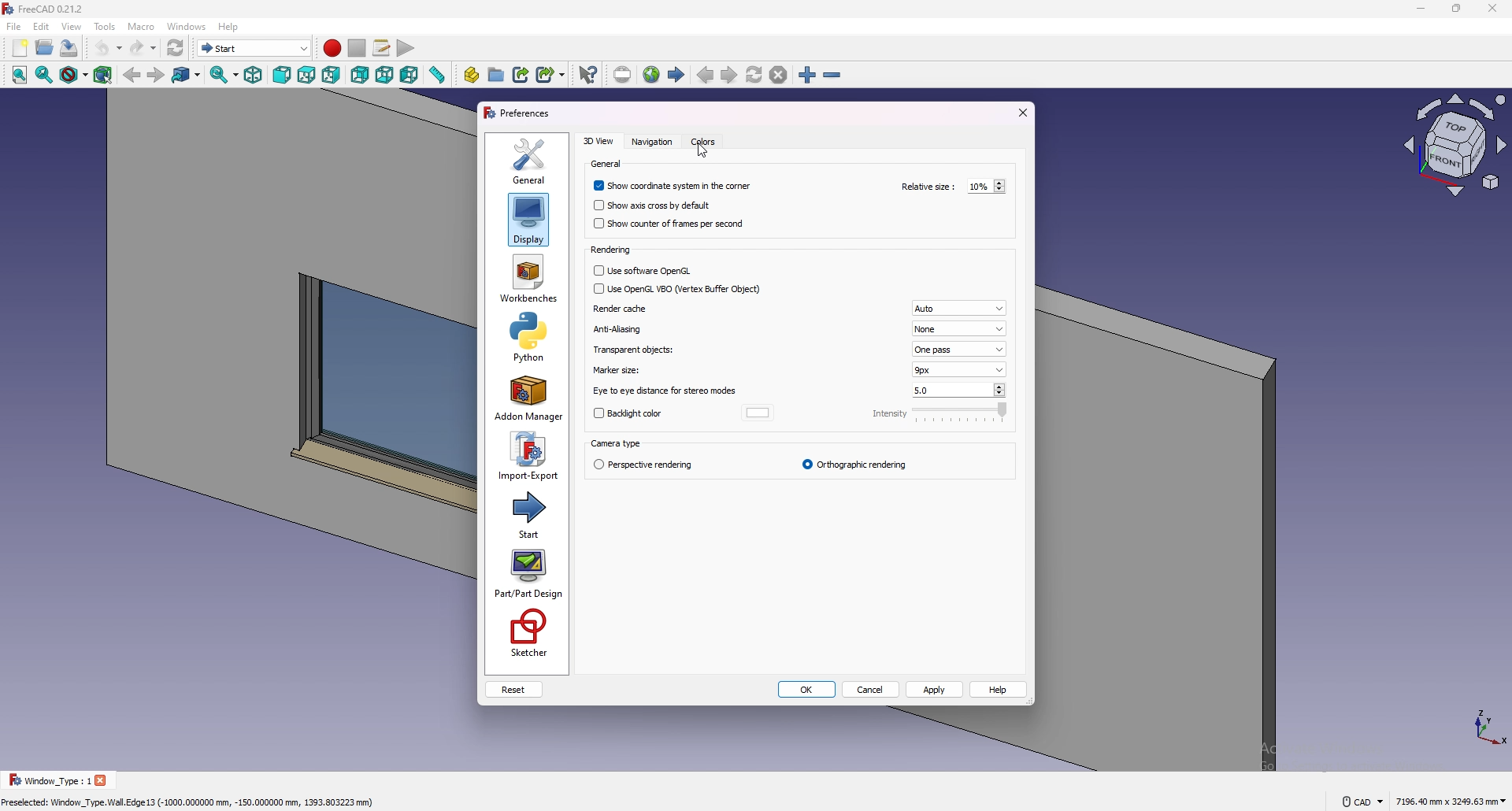  What do you see at coordinates (646, 465) in the screenshot?
I see `perspective rendering` at bounding box center [646, 465].